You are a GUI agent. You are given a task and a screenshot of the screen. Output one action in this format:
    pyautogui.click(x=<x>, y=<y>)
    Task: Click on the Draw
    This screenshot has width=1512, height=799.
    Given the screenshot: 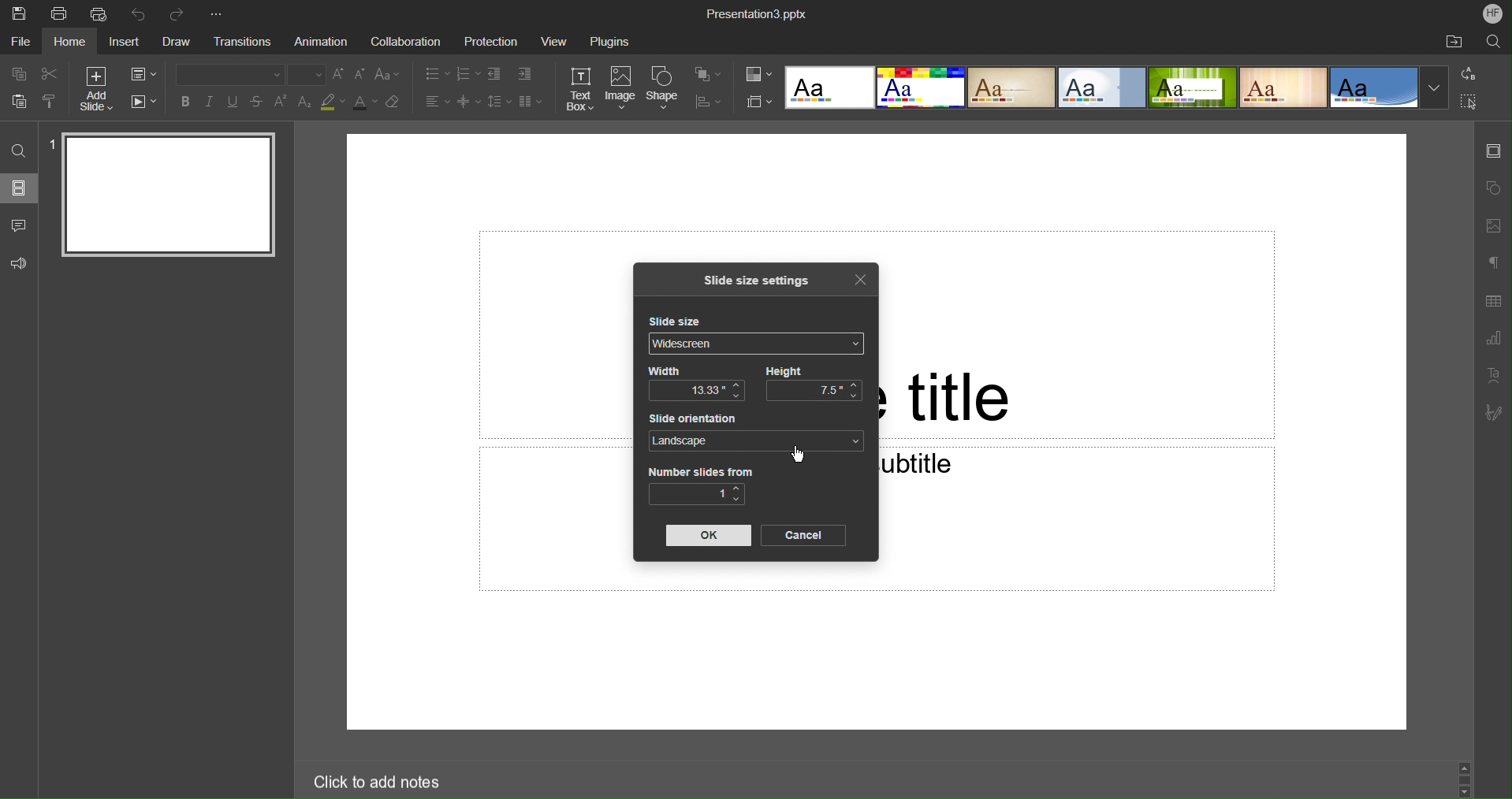 What is the action you would take?
    pyautogui.click(x=177, y=43)
    